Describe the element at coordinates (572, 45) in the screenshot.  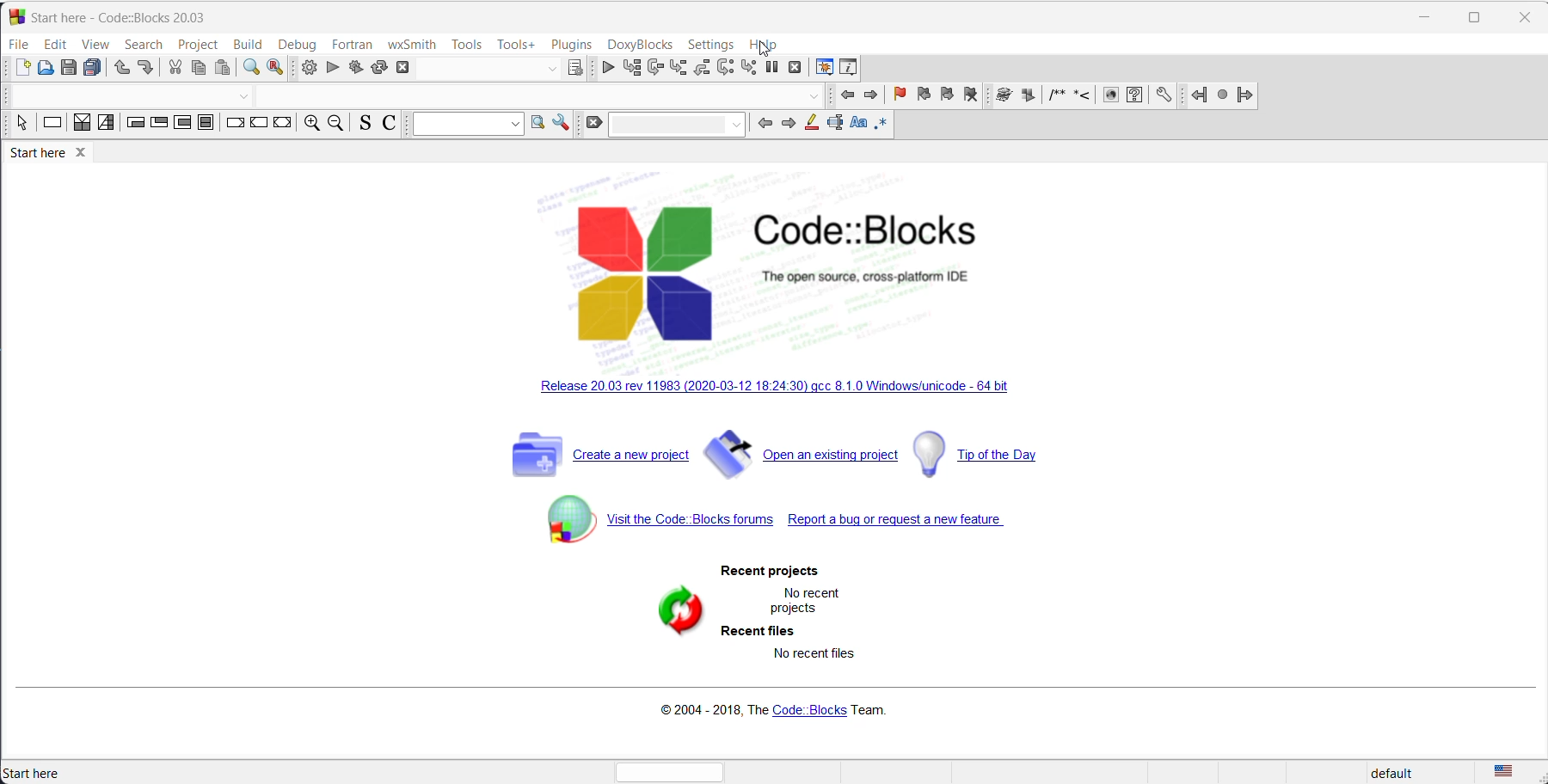
I see `plugins` at that location.